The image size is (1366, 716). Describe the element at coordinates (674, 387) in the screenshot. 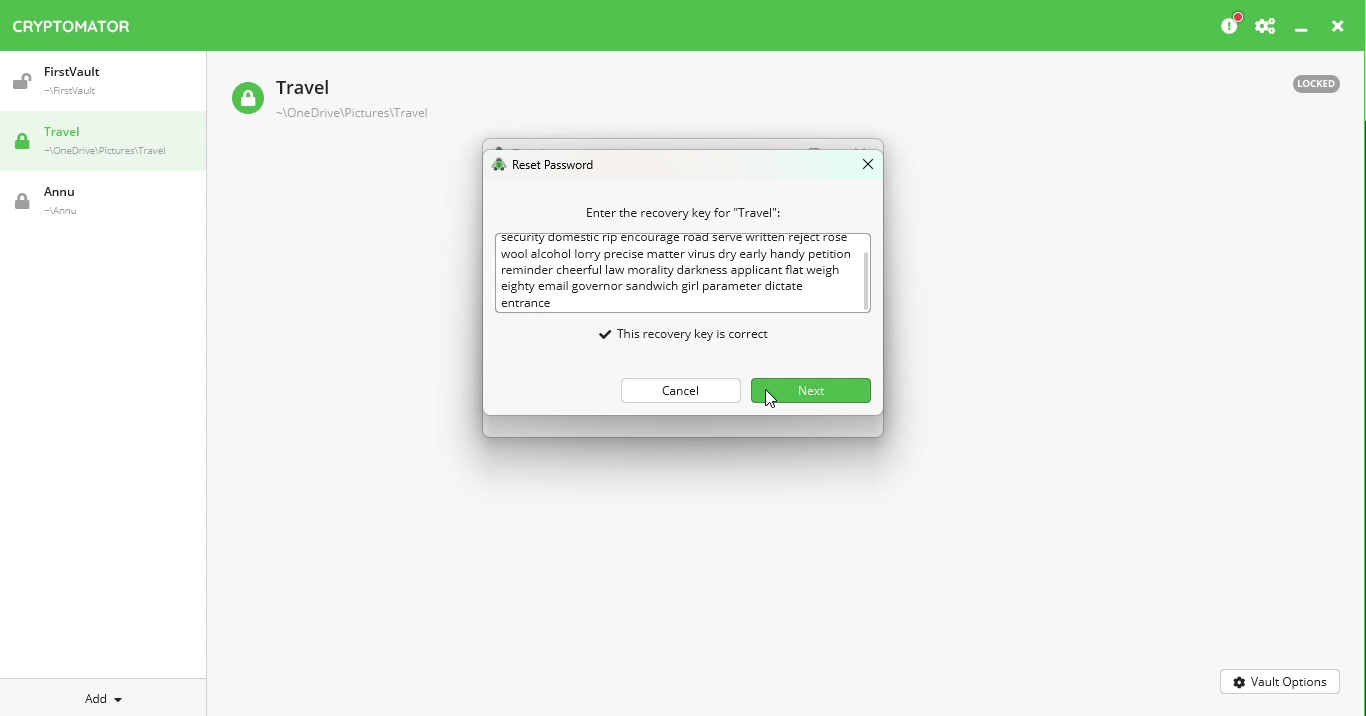

I see `Cancel` at that location.